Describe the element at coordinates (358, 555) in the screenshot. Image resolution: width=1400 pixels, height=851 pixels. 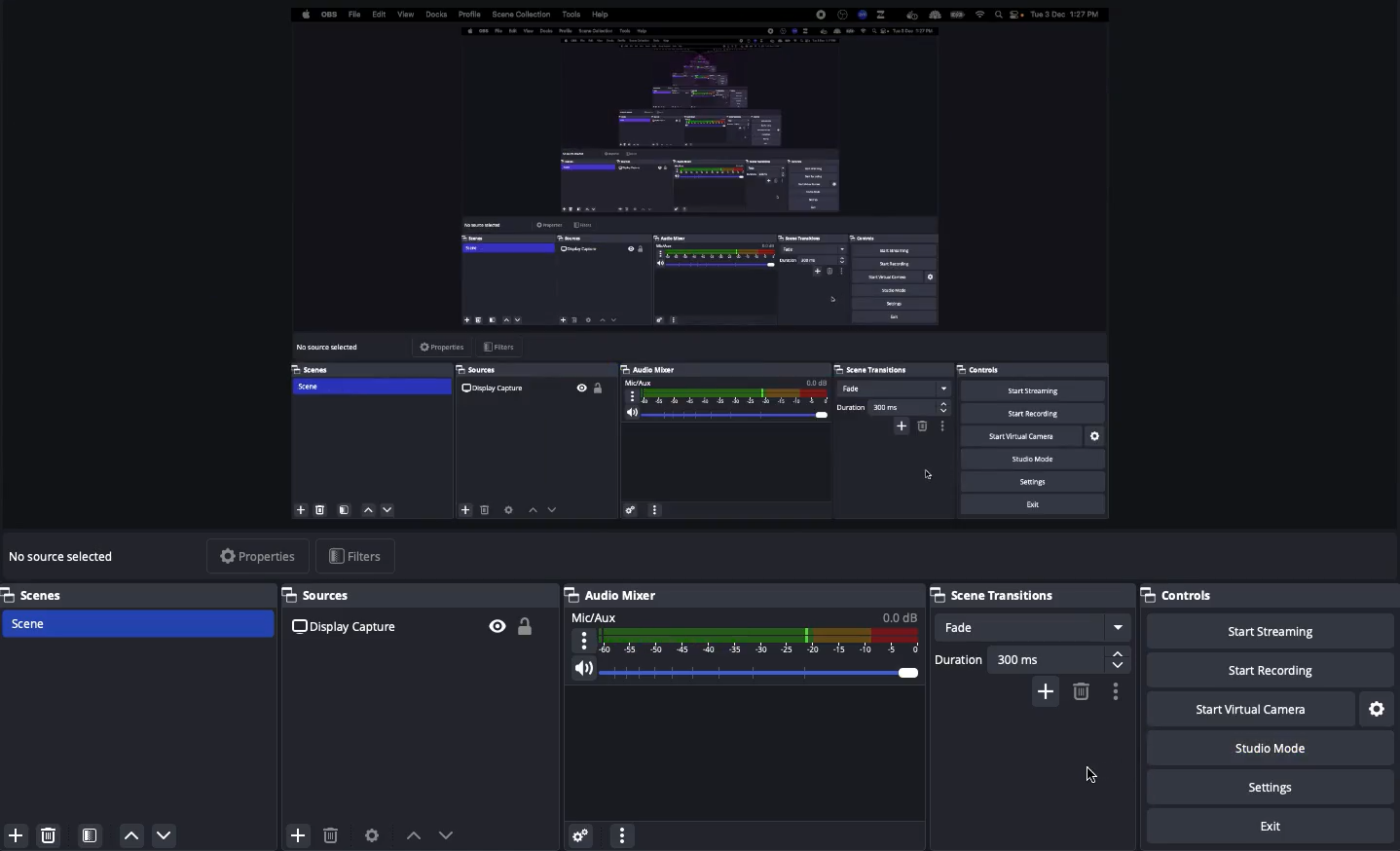
I see `Filters` at that location.